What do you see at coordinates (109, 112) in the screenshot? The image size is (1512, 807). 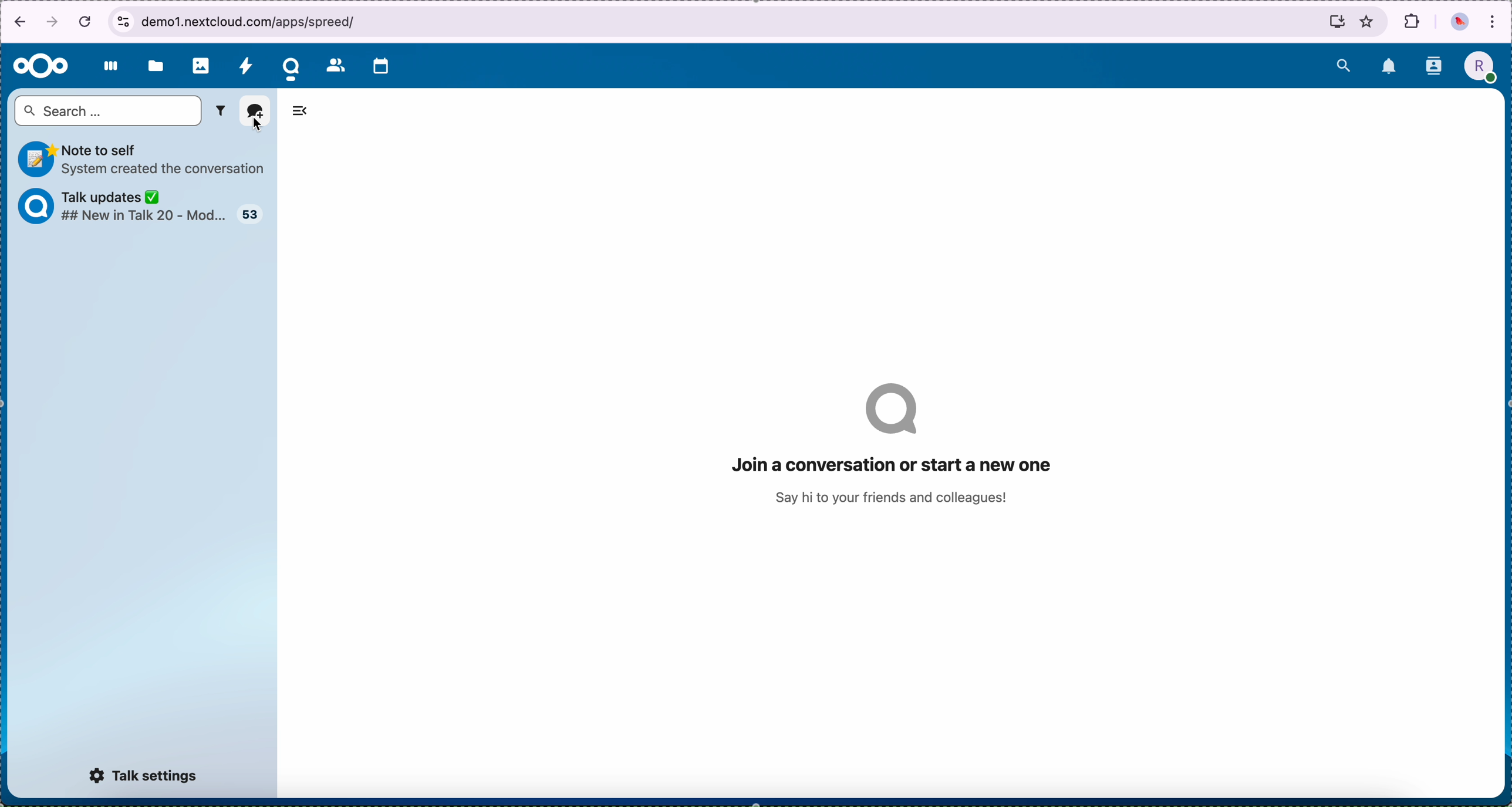 I see `search bar` at bounding box center [109, 112].